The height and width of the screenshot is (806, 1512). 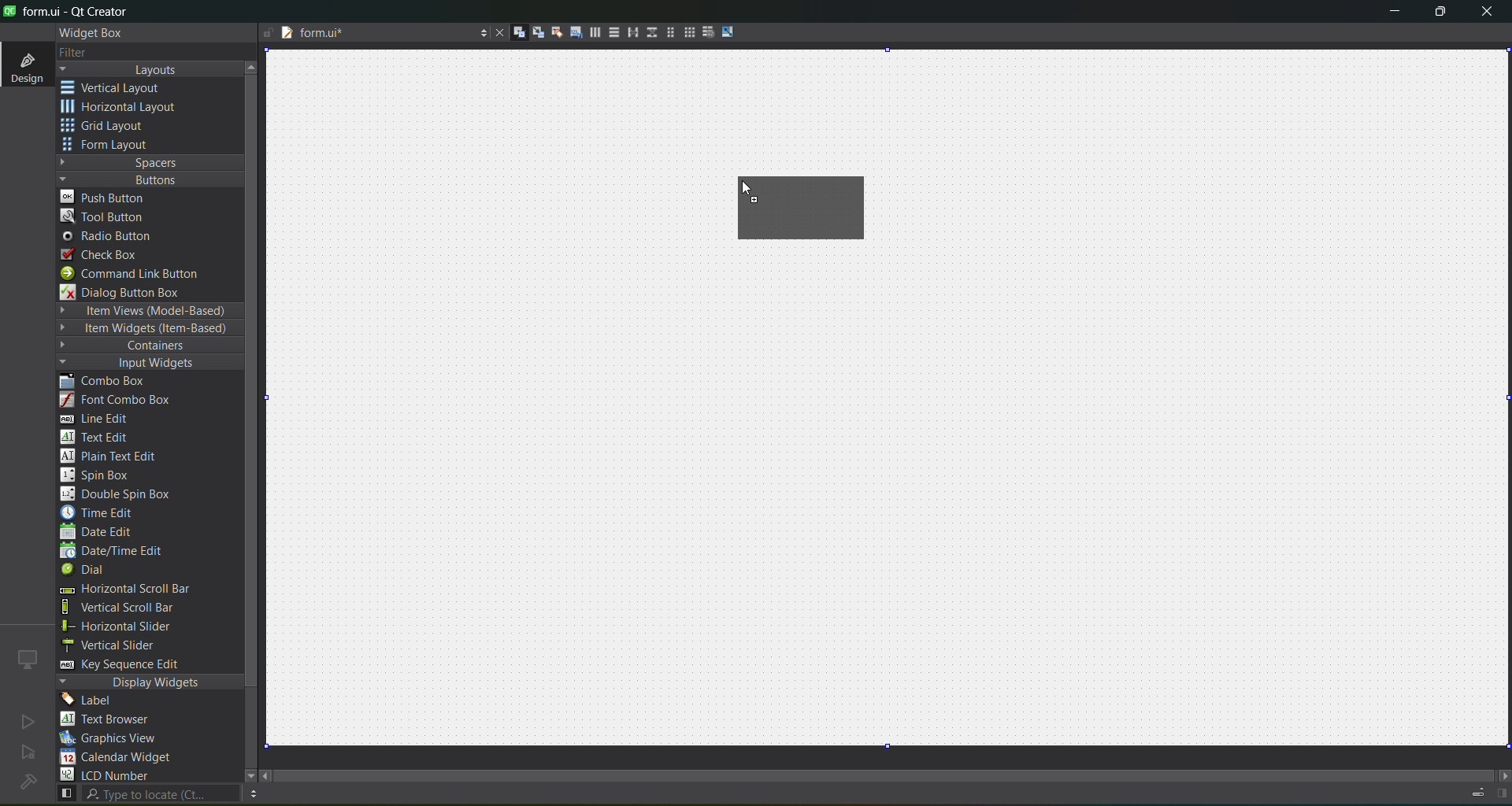 I want to click on edit signals, so click(x=532, y=31).